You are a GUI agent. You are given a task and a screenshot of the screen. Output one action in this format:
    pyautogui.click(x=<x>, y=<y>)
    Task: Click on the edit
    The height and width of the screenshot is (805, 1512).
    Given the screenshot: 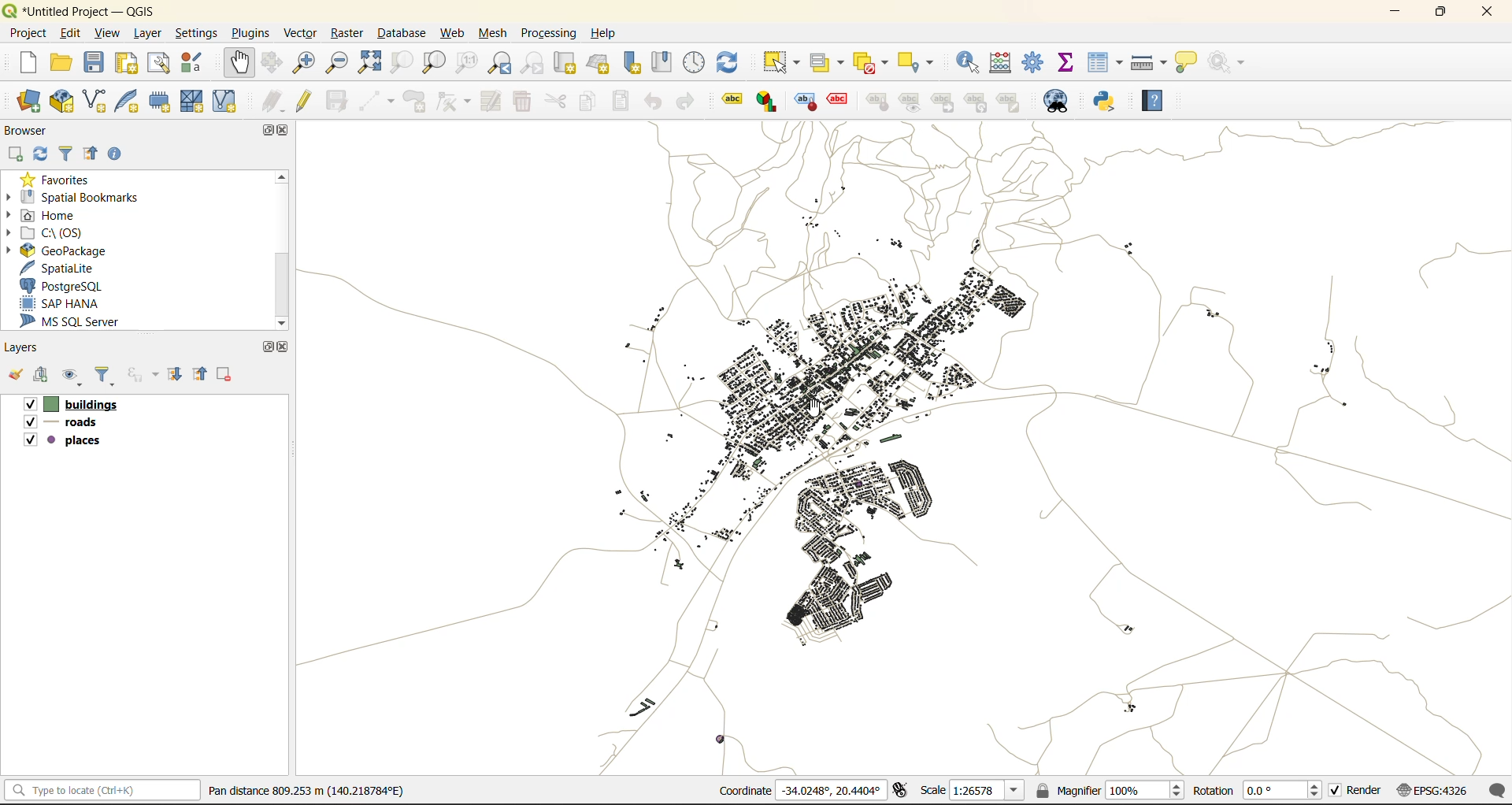 What is the action you would take?
    pyautogui.click(x=73, y=33)
    